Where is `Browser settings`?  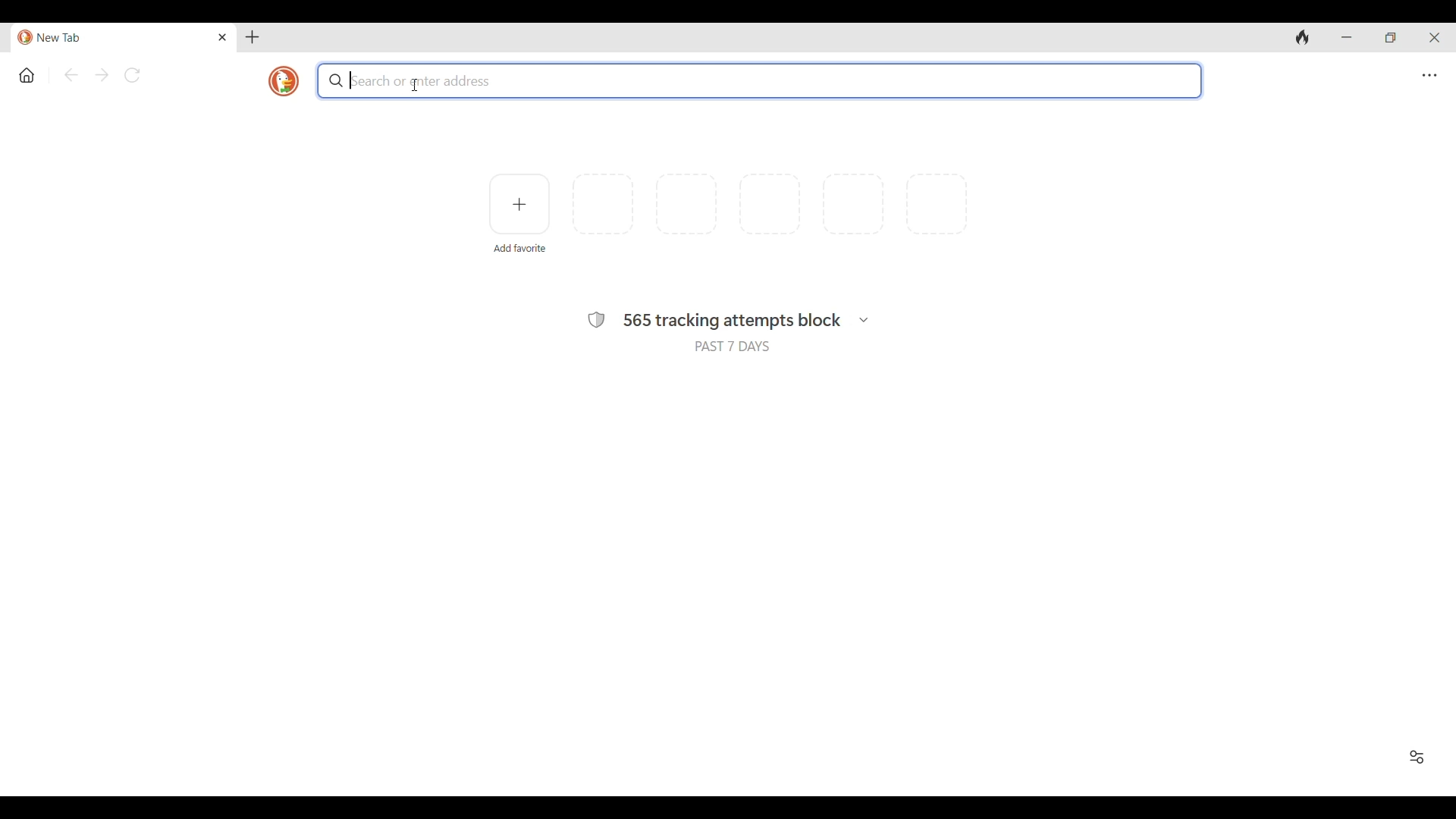
Browser settings is located at coordinates (1429, 76).